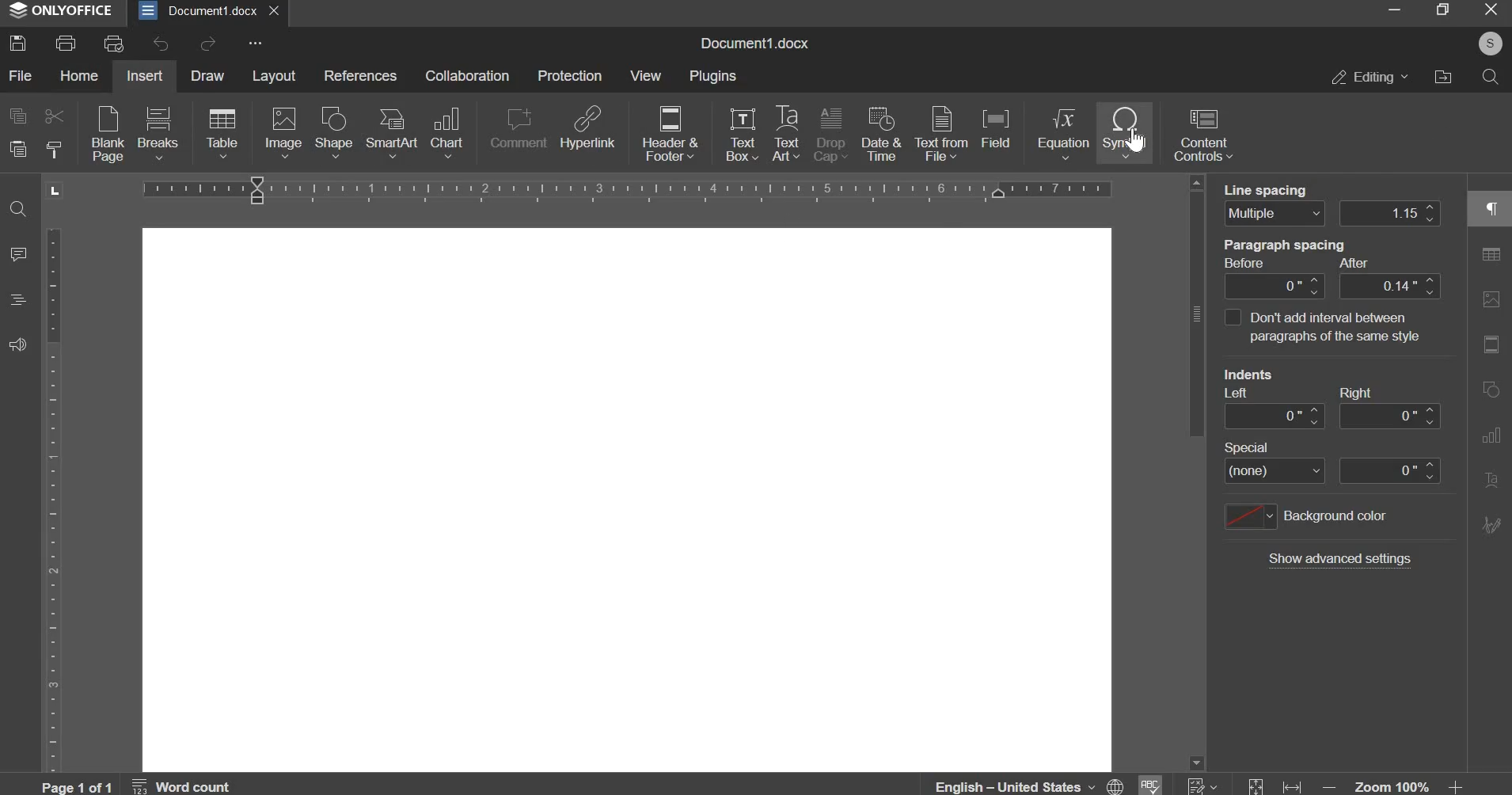 The image size is (1512, 795). What do you see at coordinates (1394, 786) in the screenshot?
I see `zoom` at bounding box center [1394, 786].